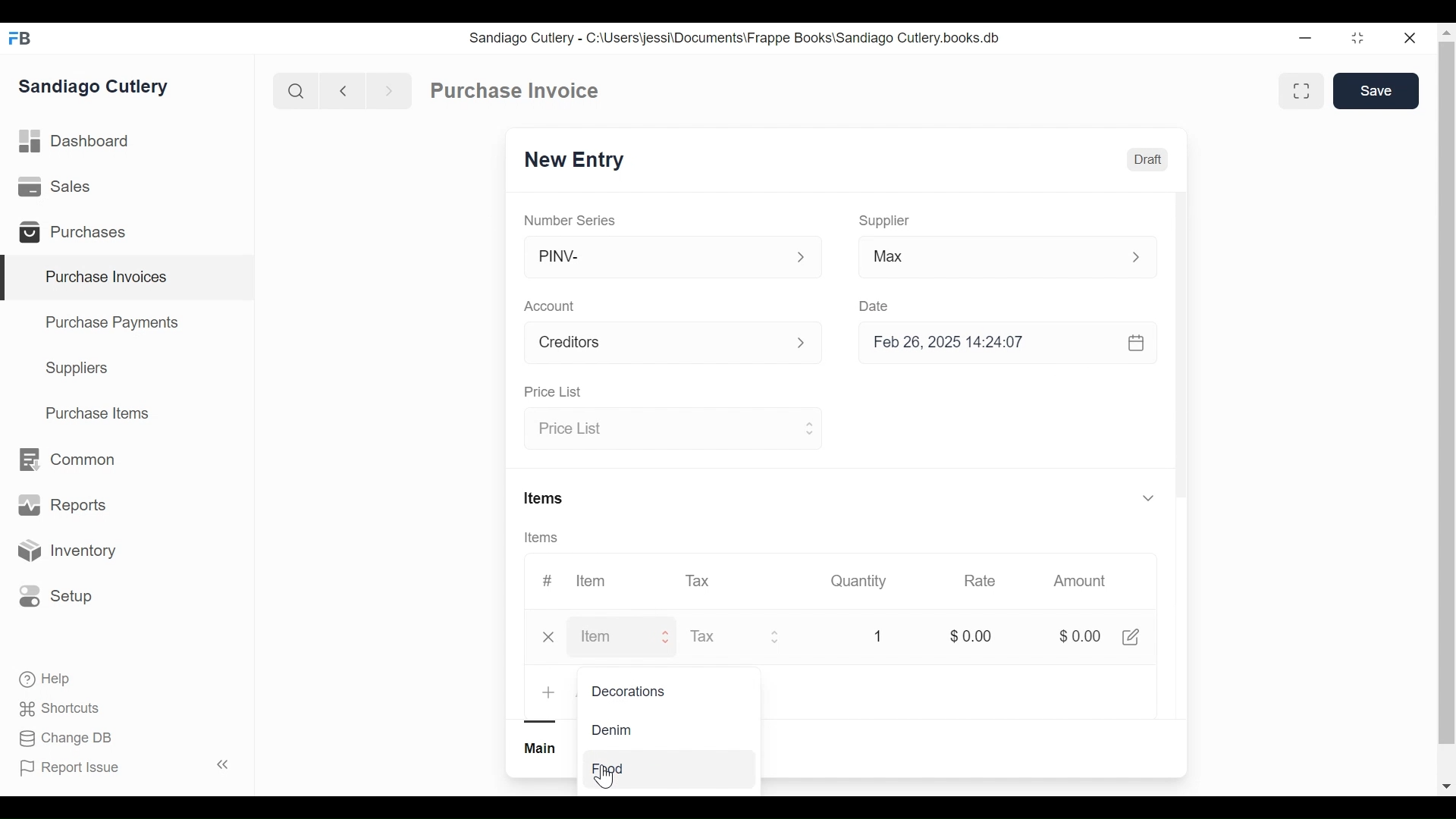 The height and width of the screenshot is (819, 1456). I want to click on $0.00, so click(978, 636).